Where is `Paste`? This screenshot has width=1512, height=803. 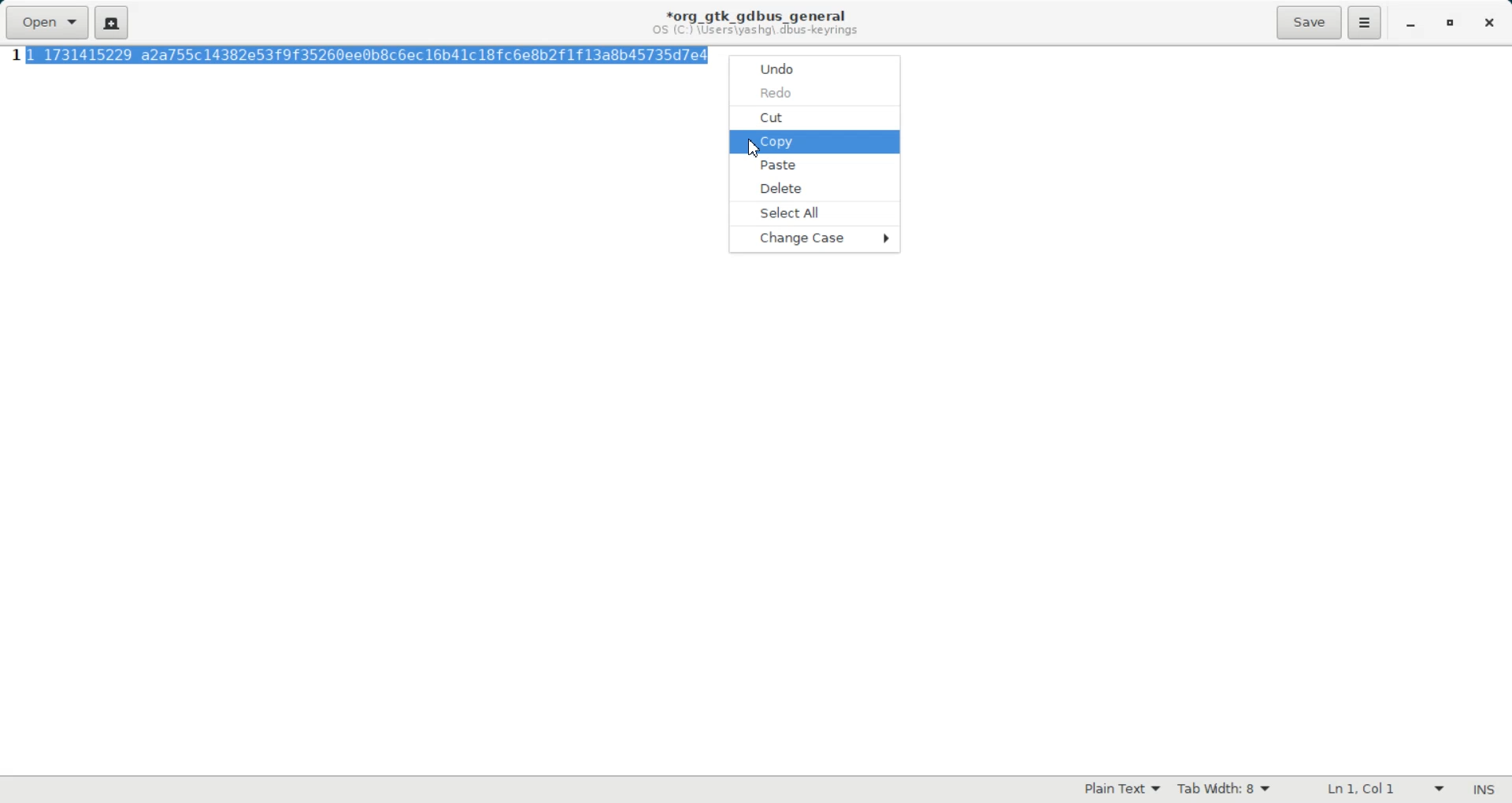 Paste is located at coordinates (810, 166).